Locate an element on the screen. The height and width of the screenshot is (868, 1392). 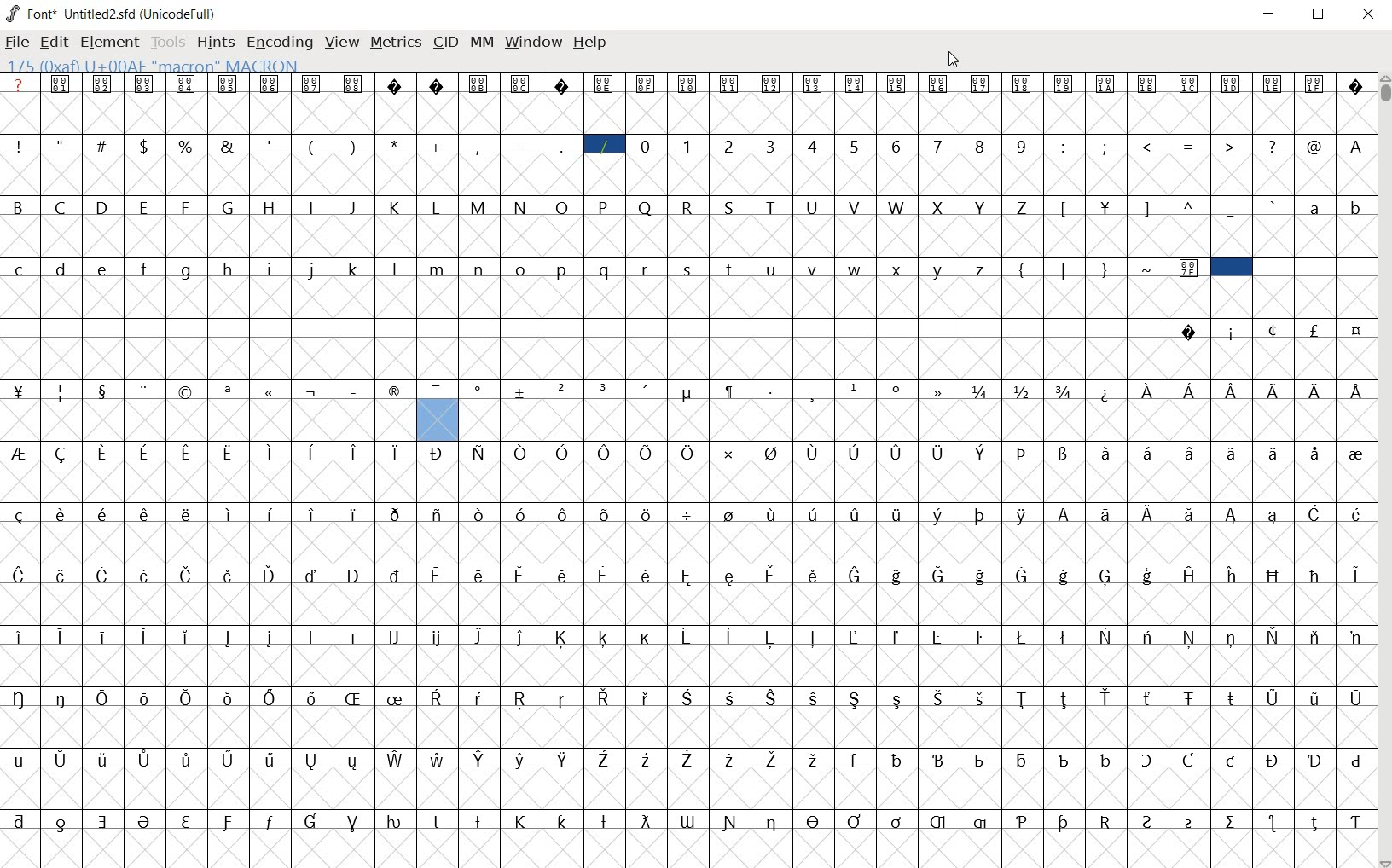
Symbol is located at coordinates (896, 758).